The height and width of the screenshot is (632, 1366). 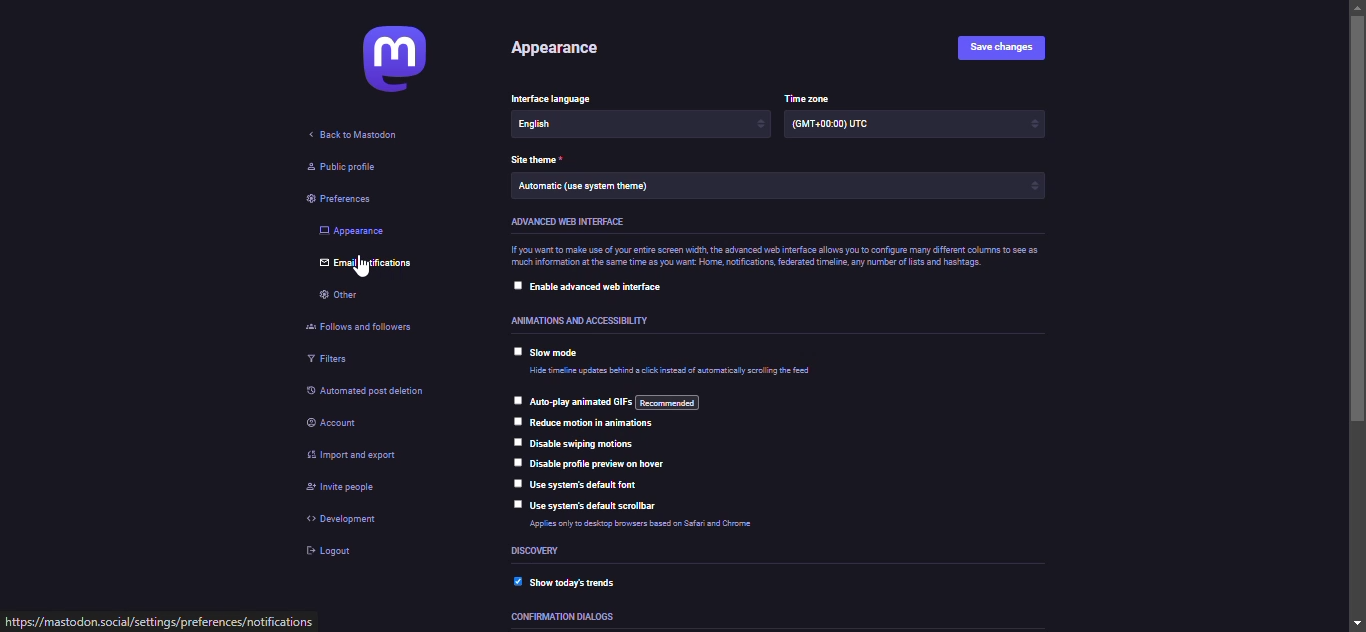 I want to click on click to select, so click(x=516, y=285).